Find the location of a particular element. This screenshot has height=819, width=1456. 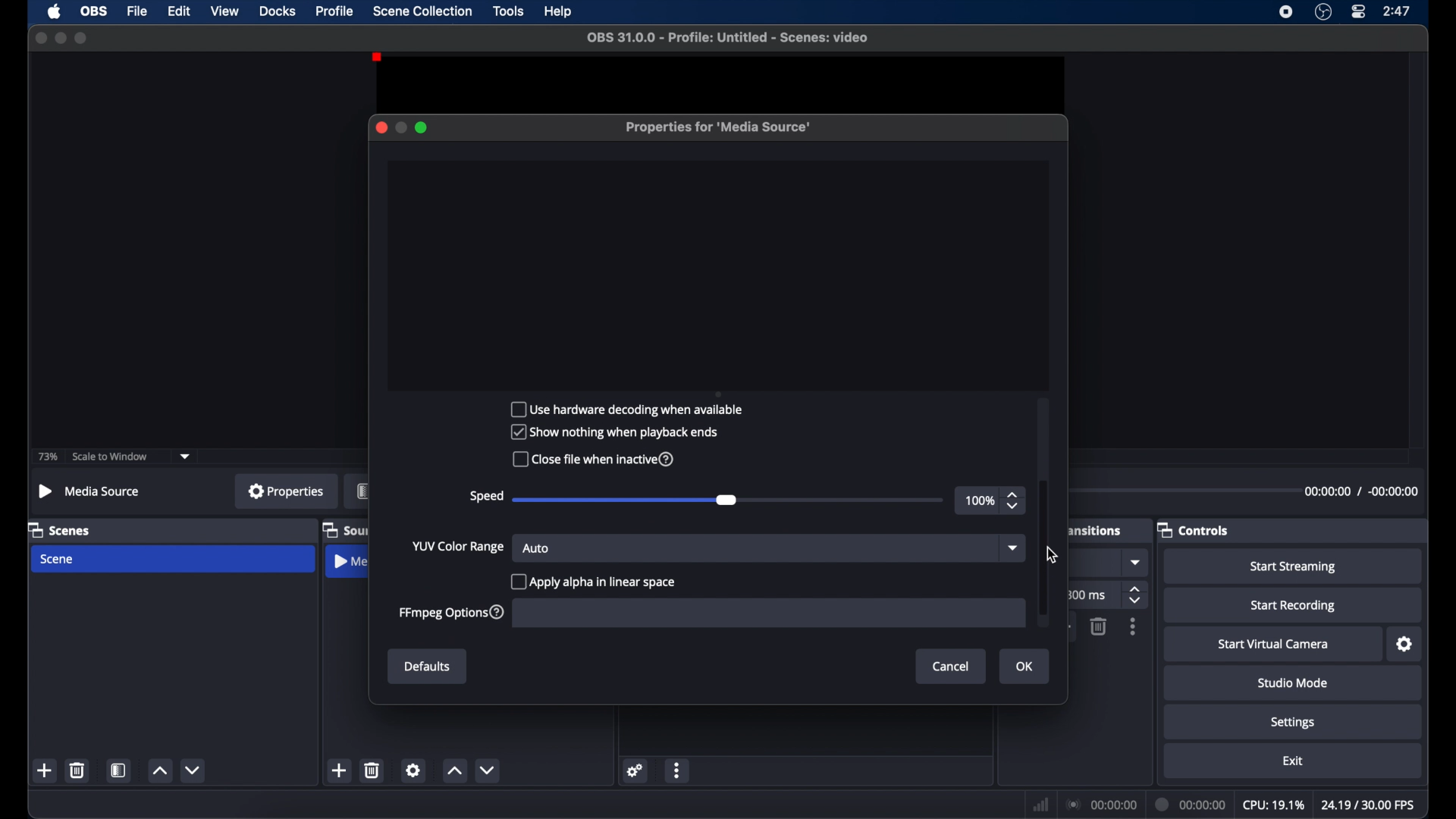

add is located at coordinates (338, 770).